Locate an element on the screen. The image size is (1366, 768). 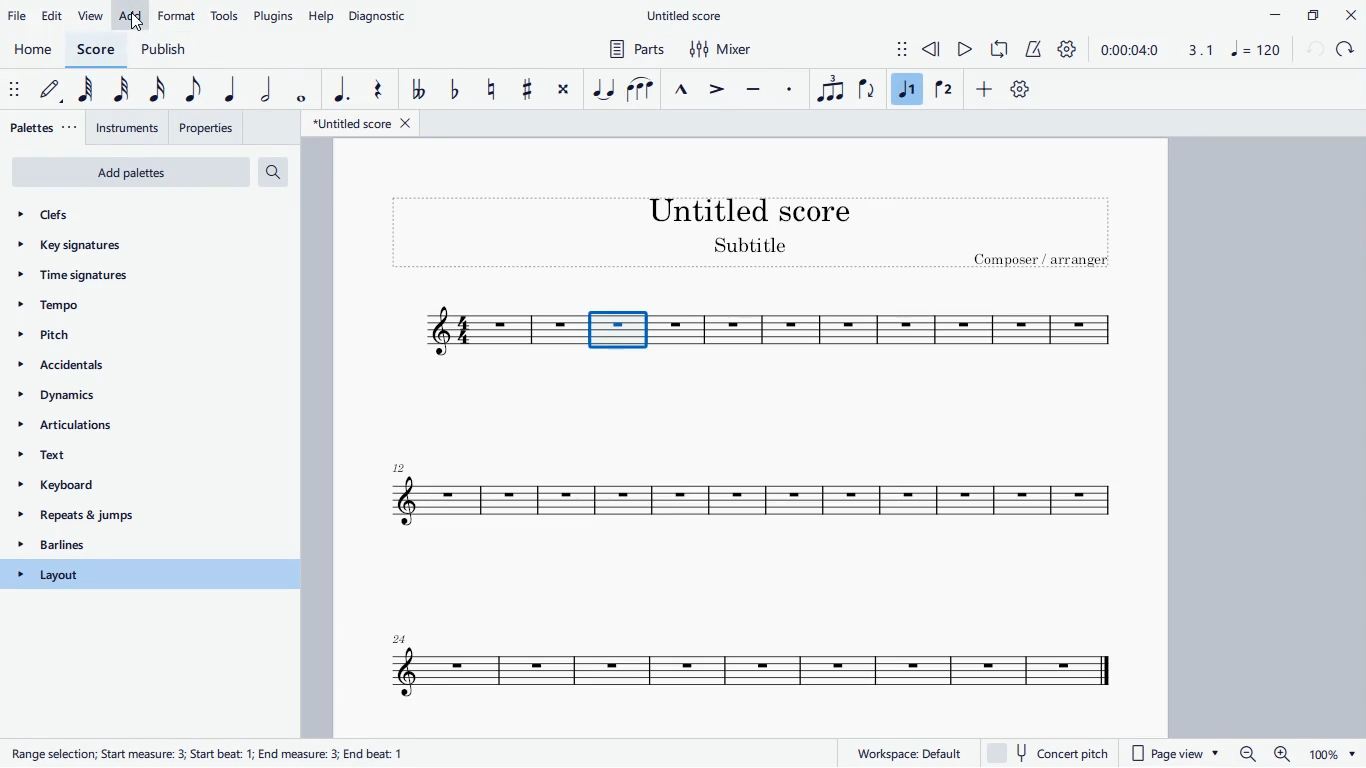
dynamics is located at coordinates (120, 400).